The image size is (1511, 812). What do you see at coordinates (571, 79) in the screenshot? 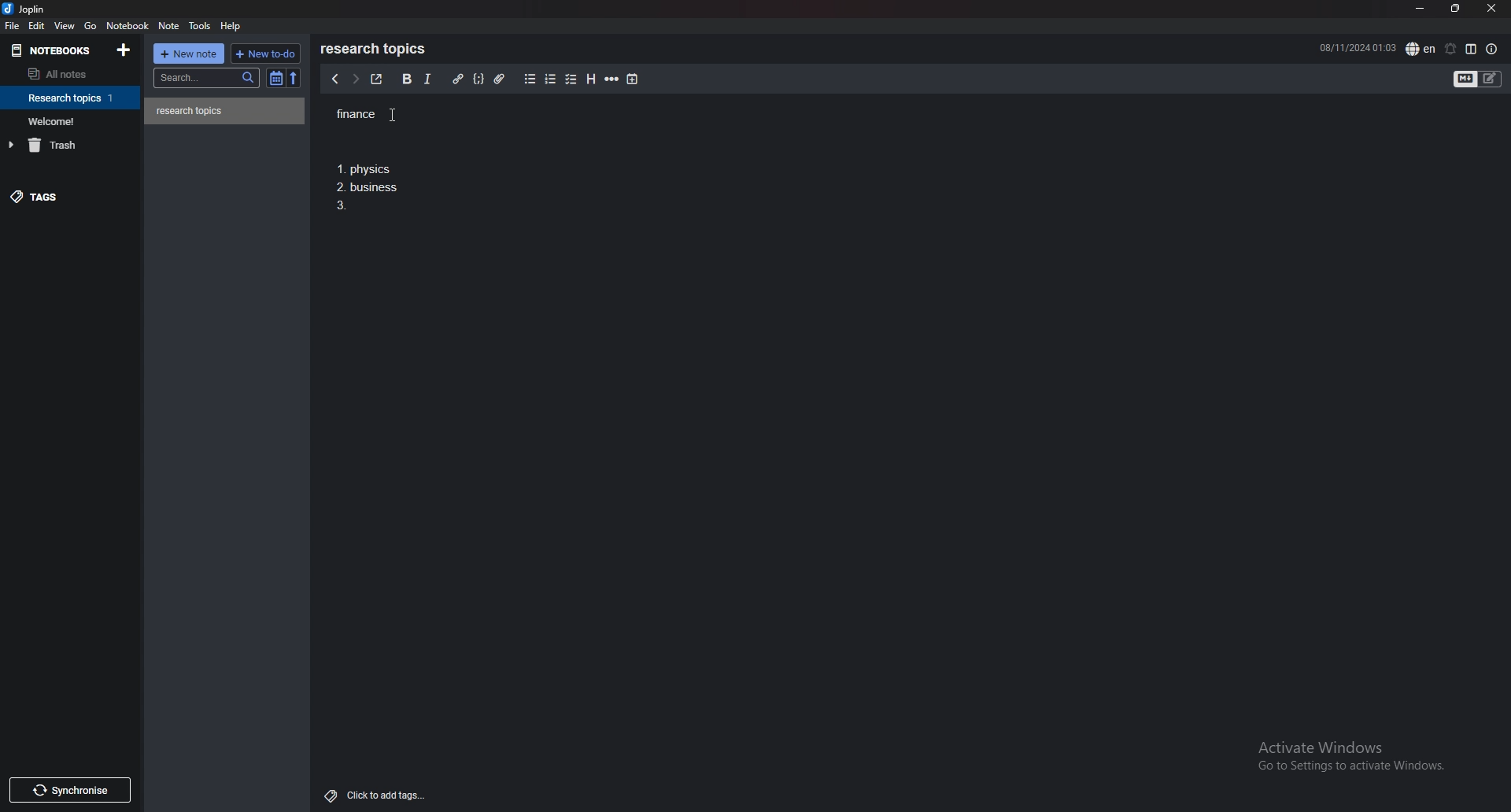
I see `checkbox` at bounding box center [571, 79].